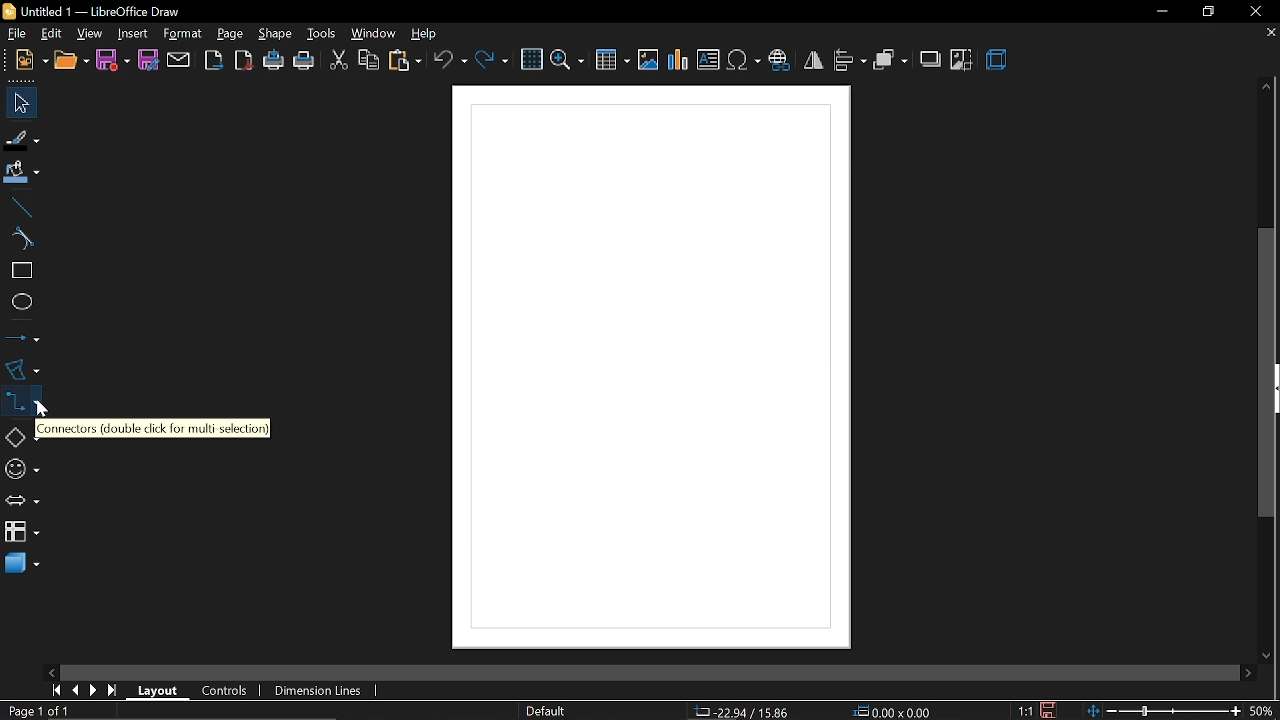  What do you see at coordinates (1206, 11) in the screenshot?
I see `restore down` at bounding box center [1206, 11].